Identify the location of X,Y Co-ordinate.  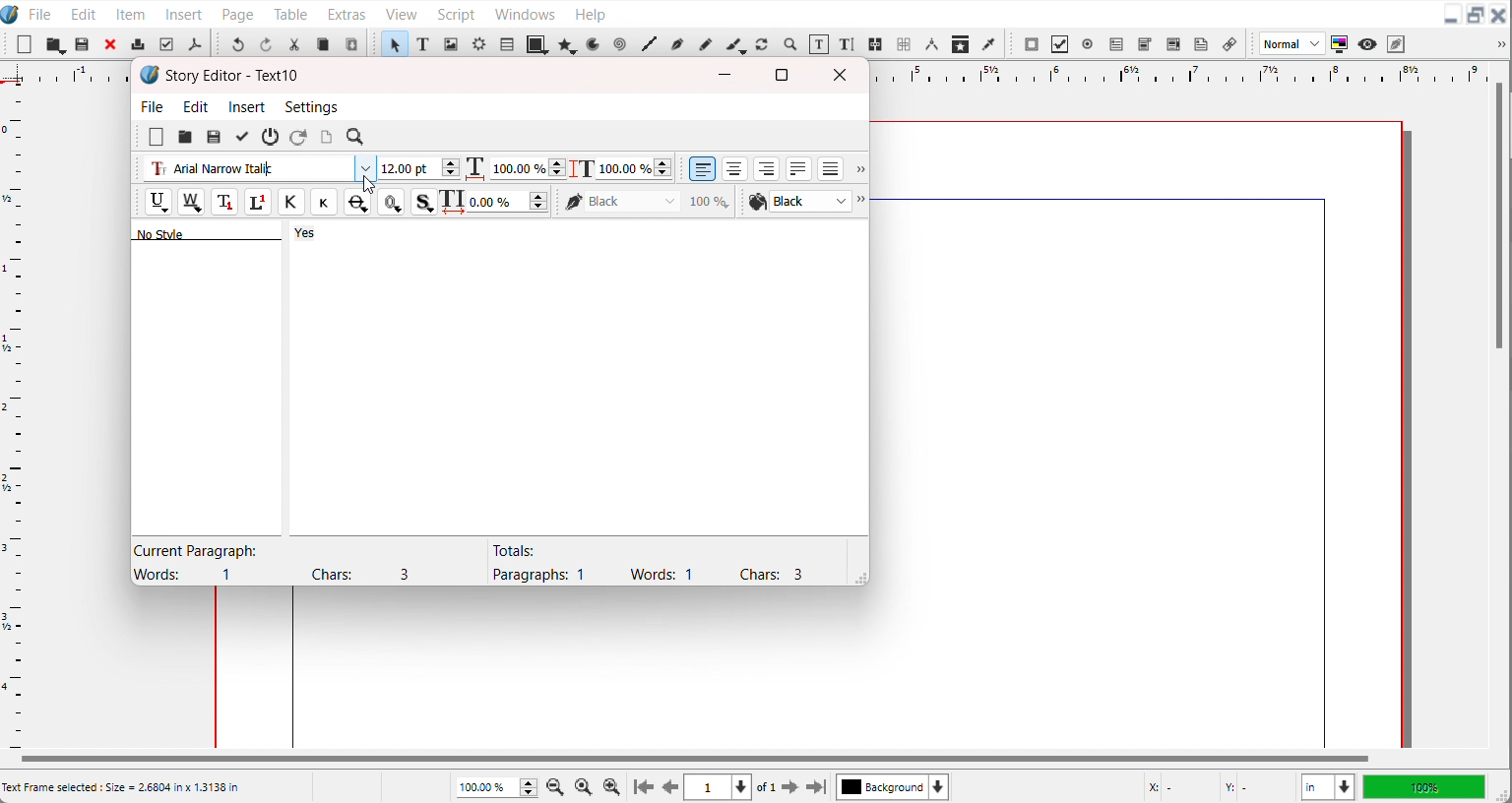
(1216, 786).